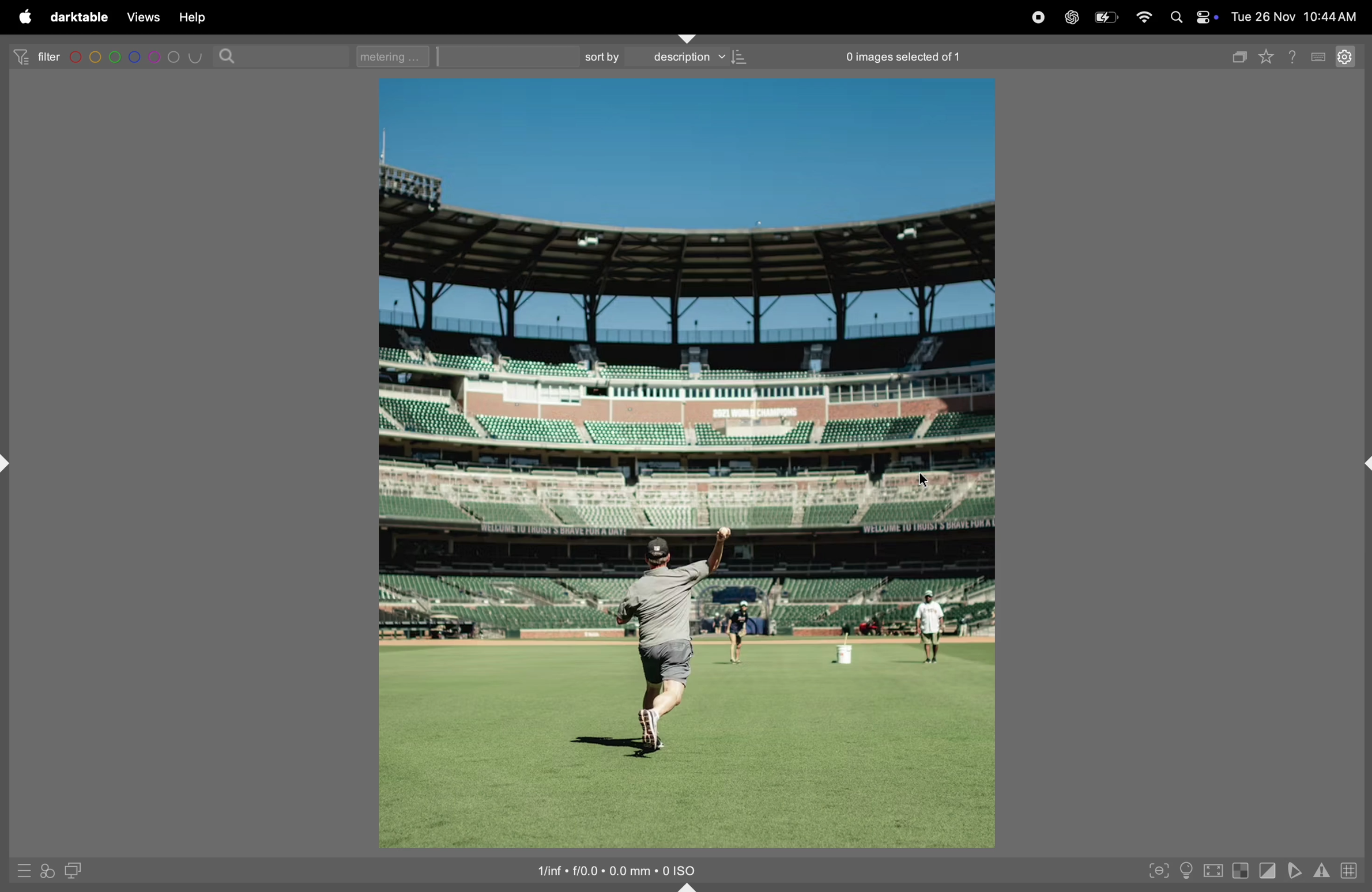  Describe the element at coordinates (1294, 54) in the screenshot. I see `help` at that location.